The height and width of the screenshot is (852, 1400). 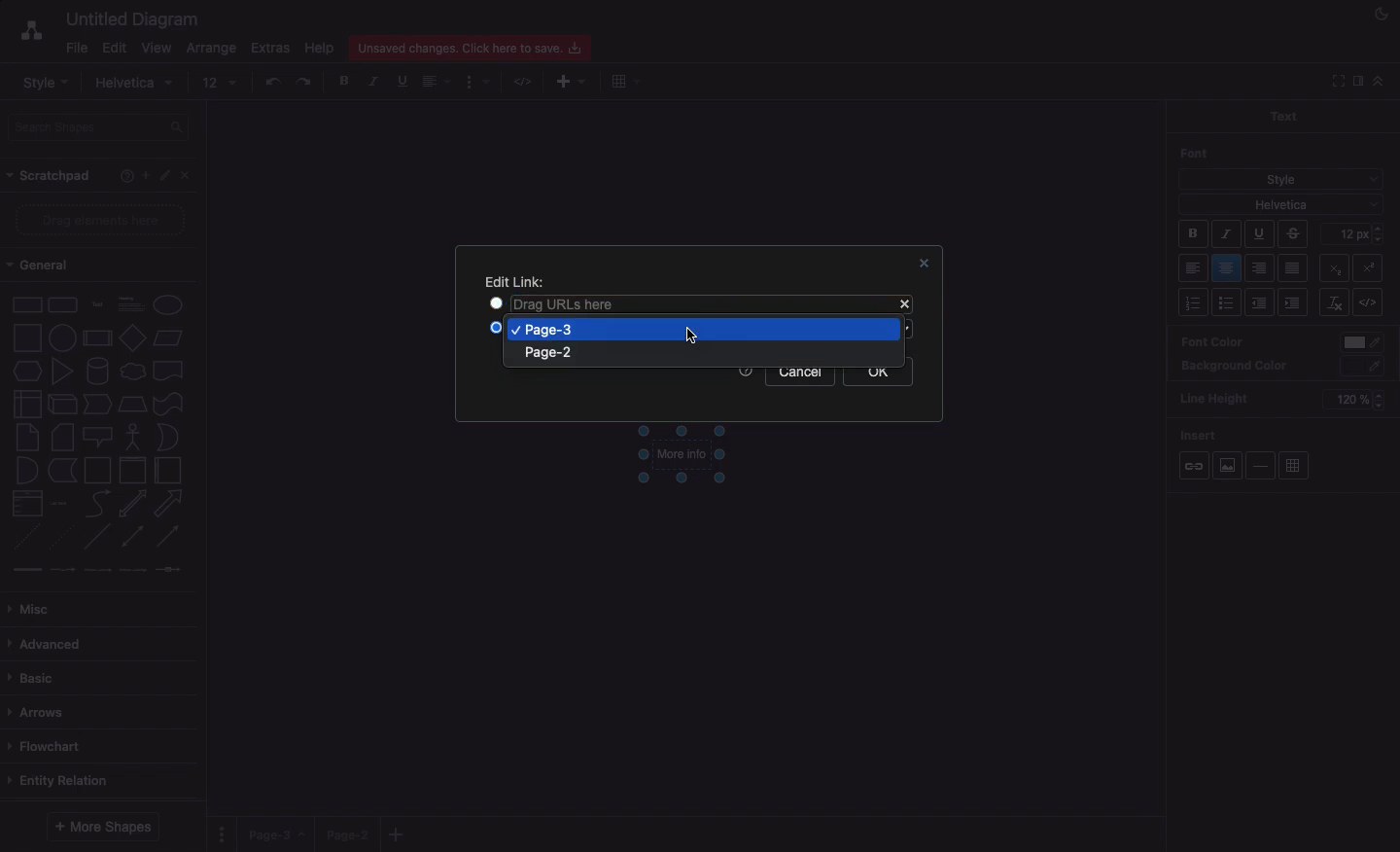 What do you see at coordinates (28, 304) in the screenshot?
I see `rectangle` at bounding box center [28, 304].